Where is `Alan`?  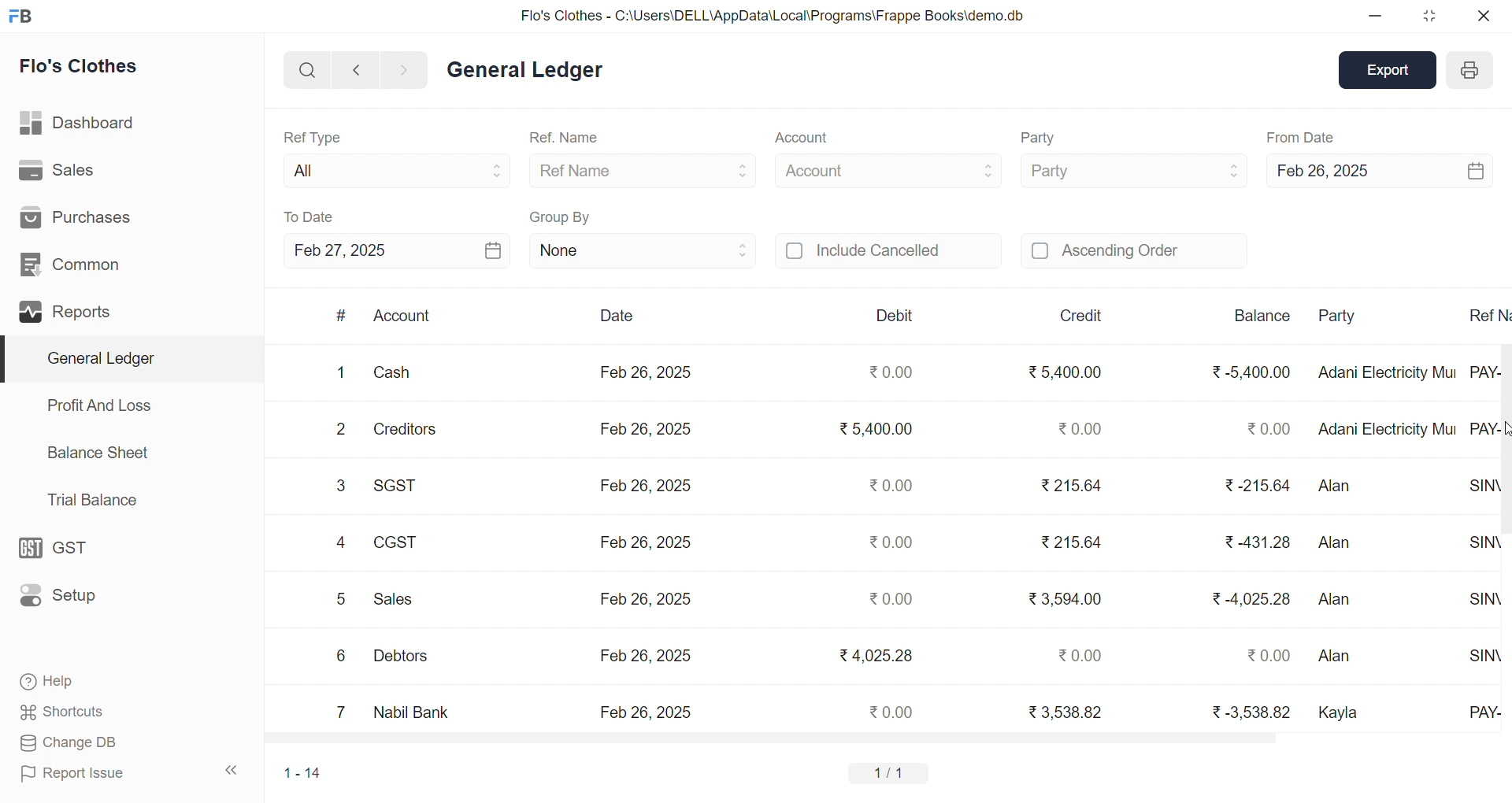 Alan is located at coordinates (1341, 595).